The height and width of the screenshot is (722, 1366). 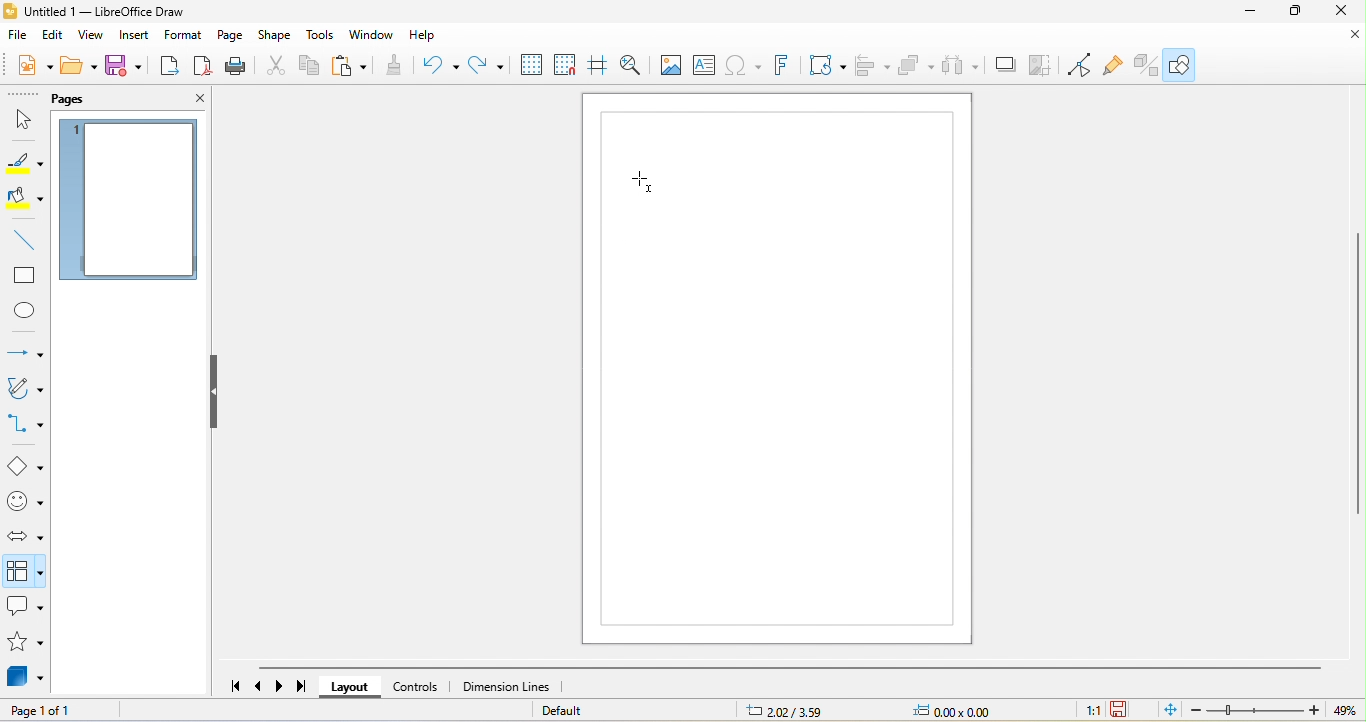 I want to click on undo, so click(x=441, y=66).